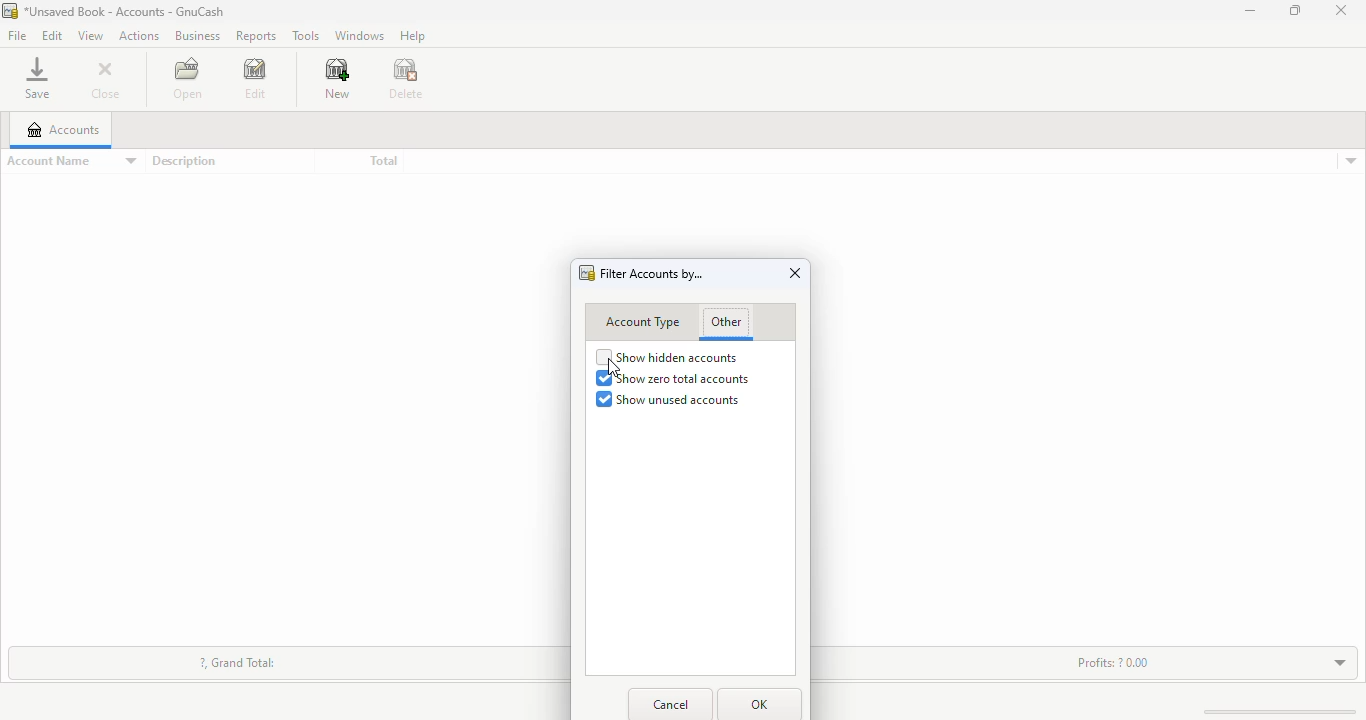 The image size is (1366, 720). What do you see at coordinates (63, 129) in the screenshot?
I see `accounts` at bounding box center [63, 129].